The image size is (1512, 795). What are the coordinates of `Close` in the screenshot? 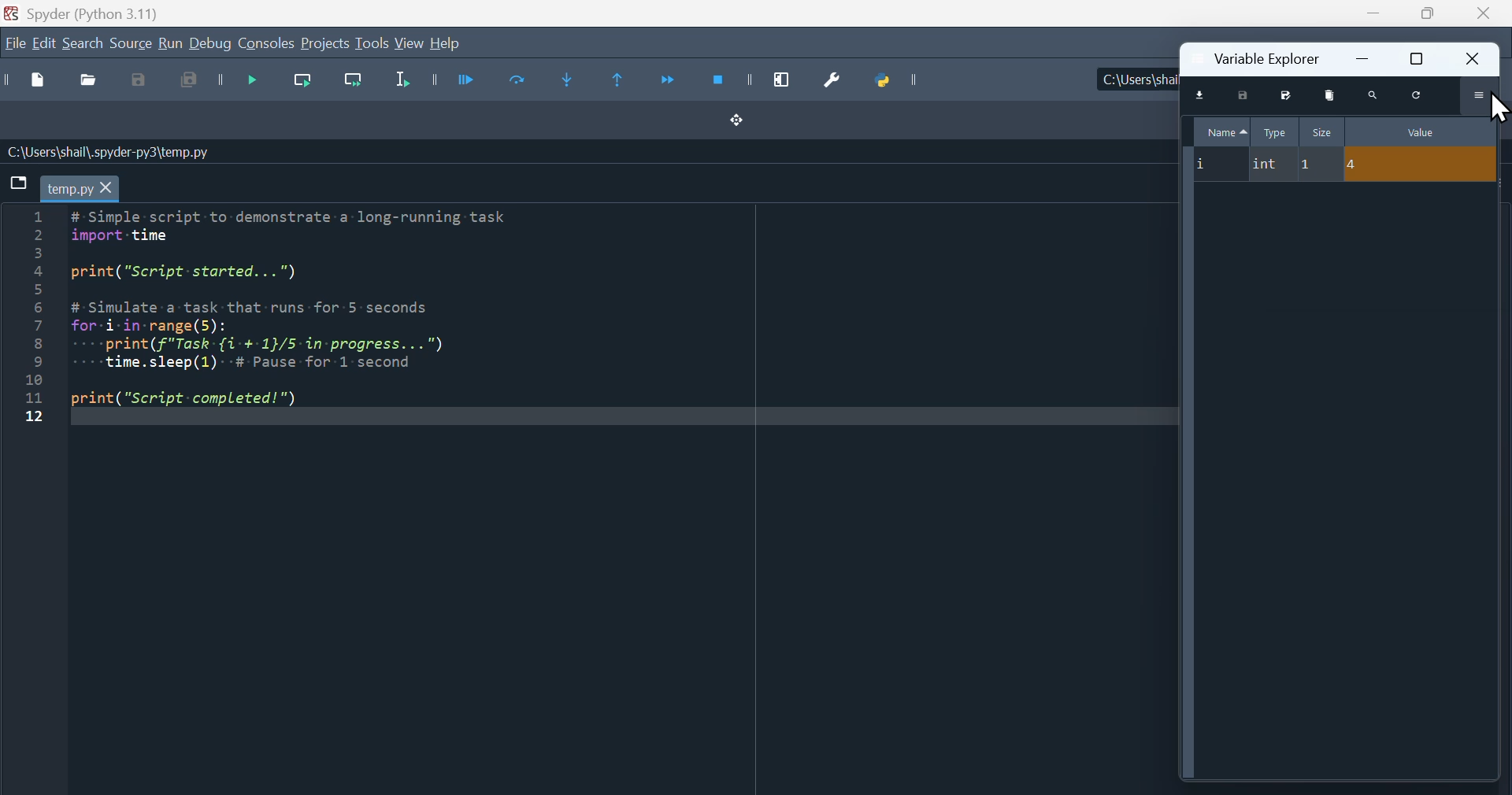 It's located at (1480, 14).